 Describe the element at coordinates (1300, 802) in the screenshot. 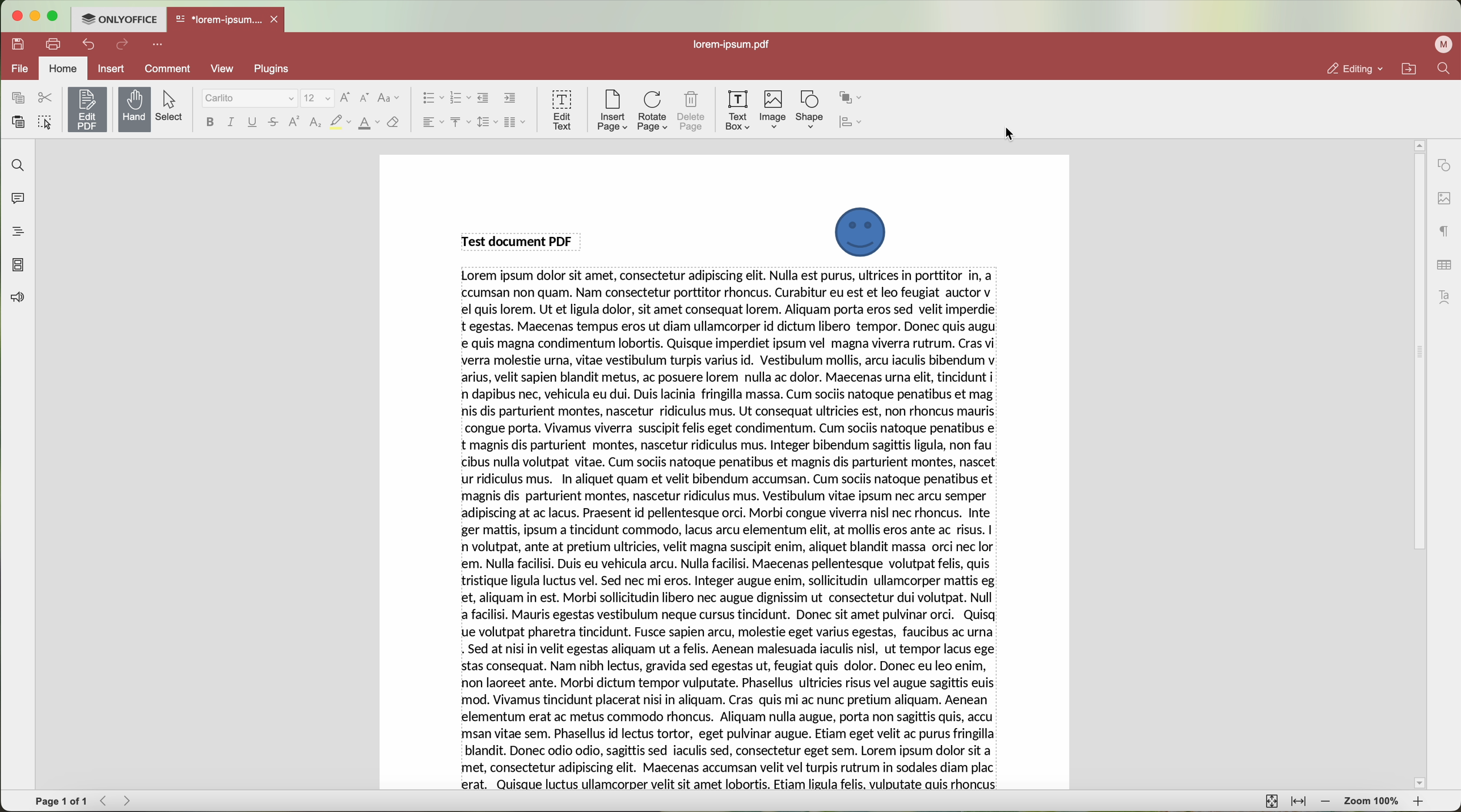

I see `fit to width` at that location.